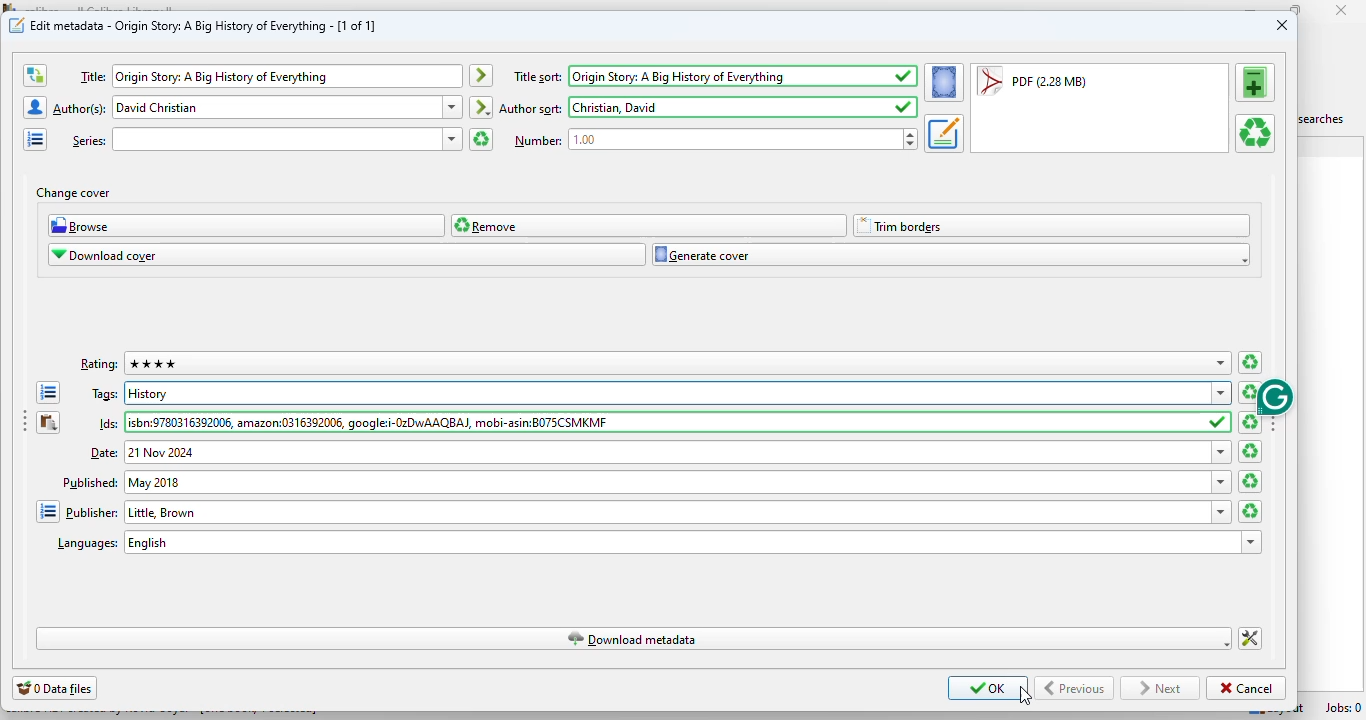 This screenshot has width=1366, height=720. I want to click on OK, so click(988, 688).